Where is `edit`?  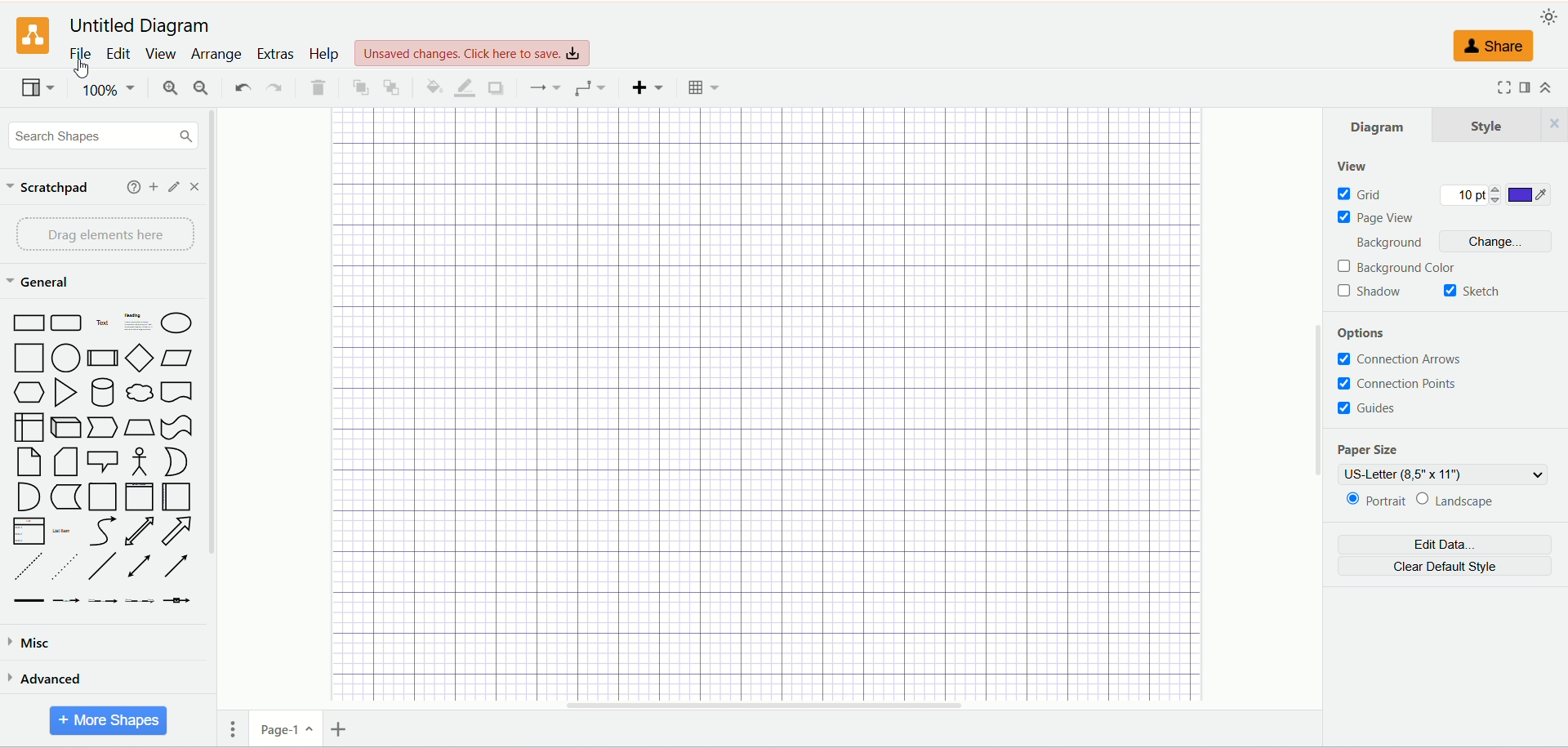
edit is located at coordinates (171, 187).